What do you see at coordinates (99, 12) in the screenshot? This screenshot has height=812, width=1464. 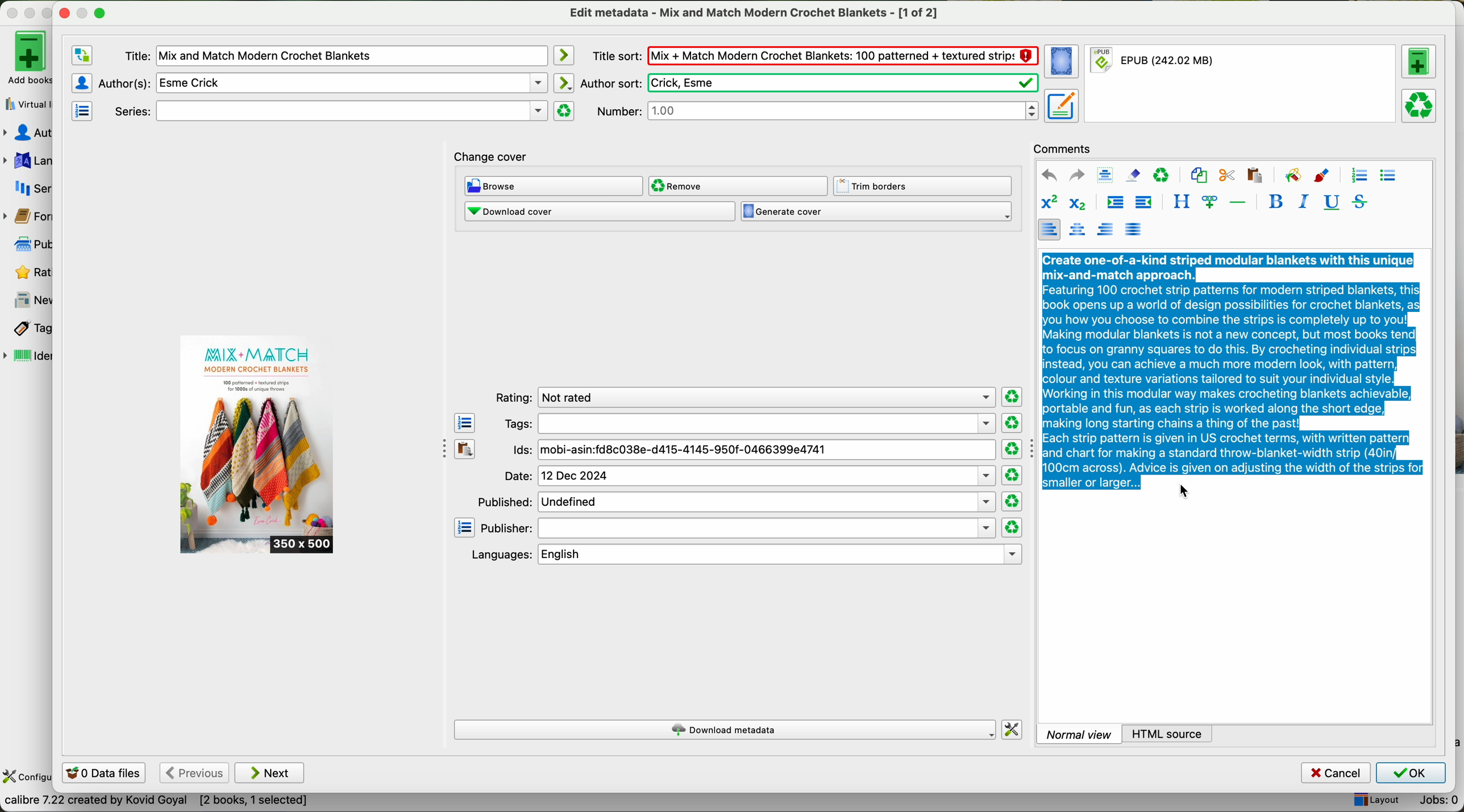 I see `maximize windows` at bounding box center [99, 12].